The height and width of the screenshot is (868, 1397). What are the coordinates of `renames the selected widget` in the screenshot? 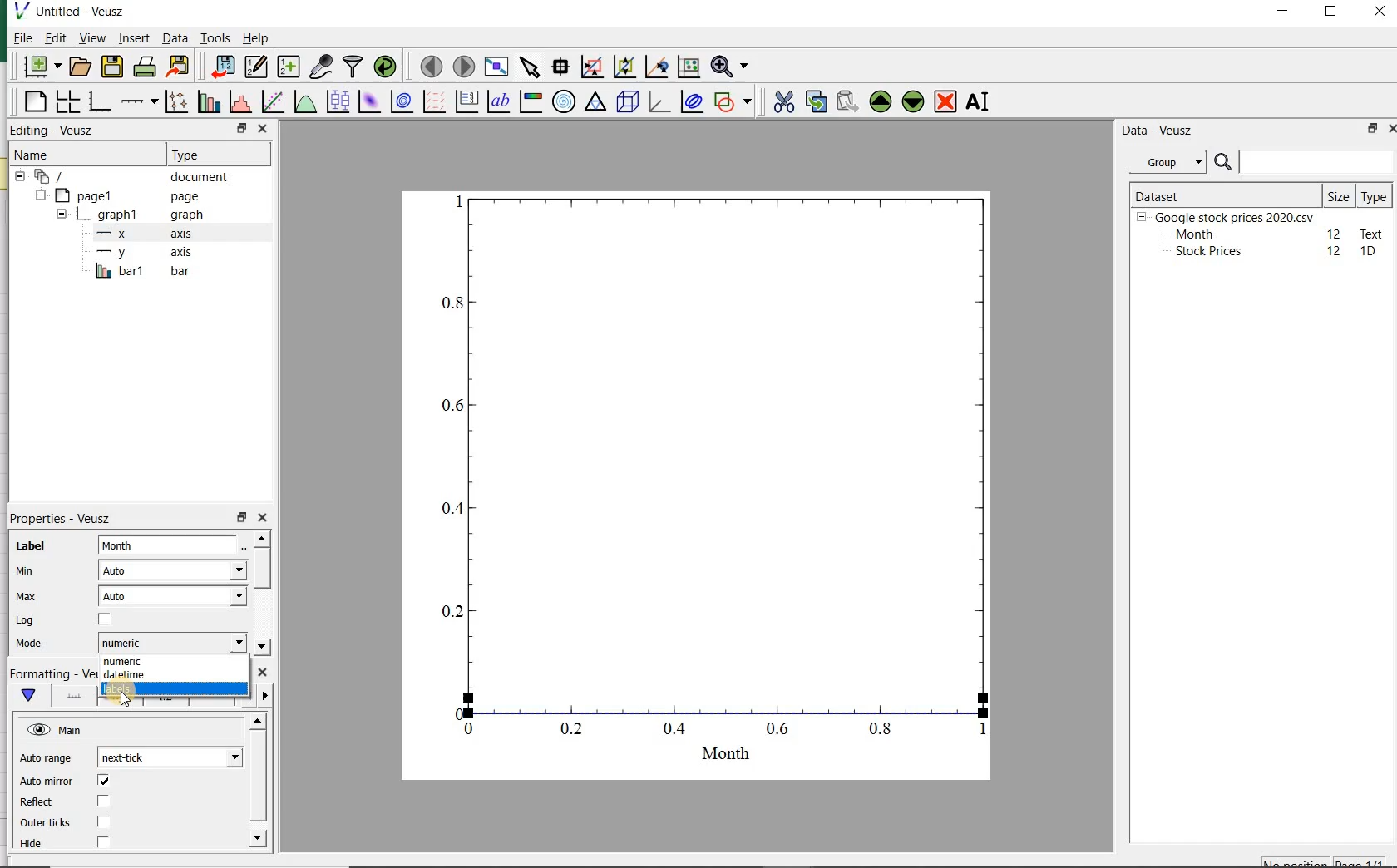 It's located at (975, 104).